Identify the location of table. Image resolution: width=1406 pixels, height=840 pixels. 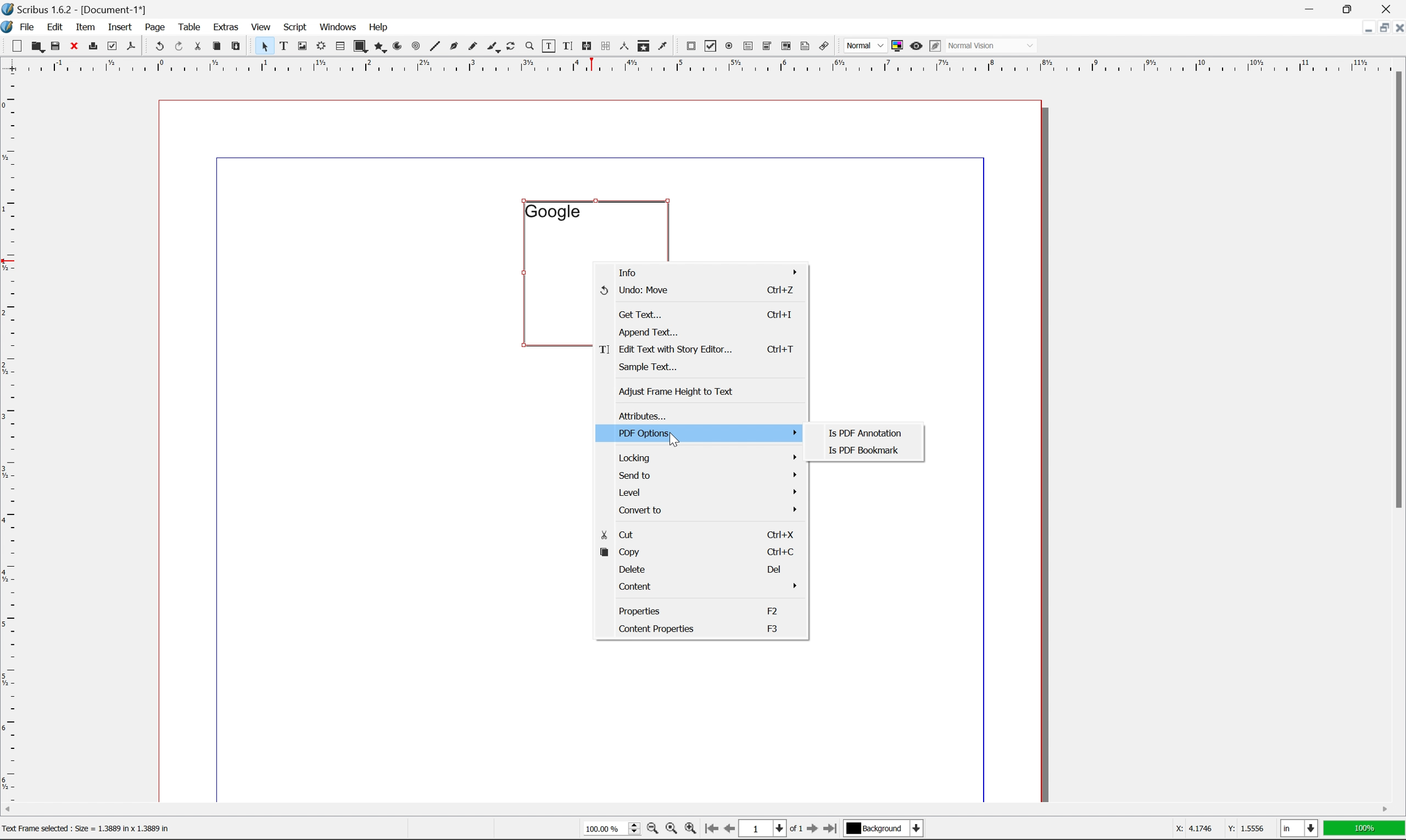
(190, 26).